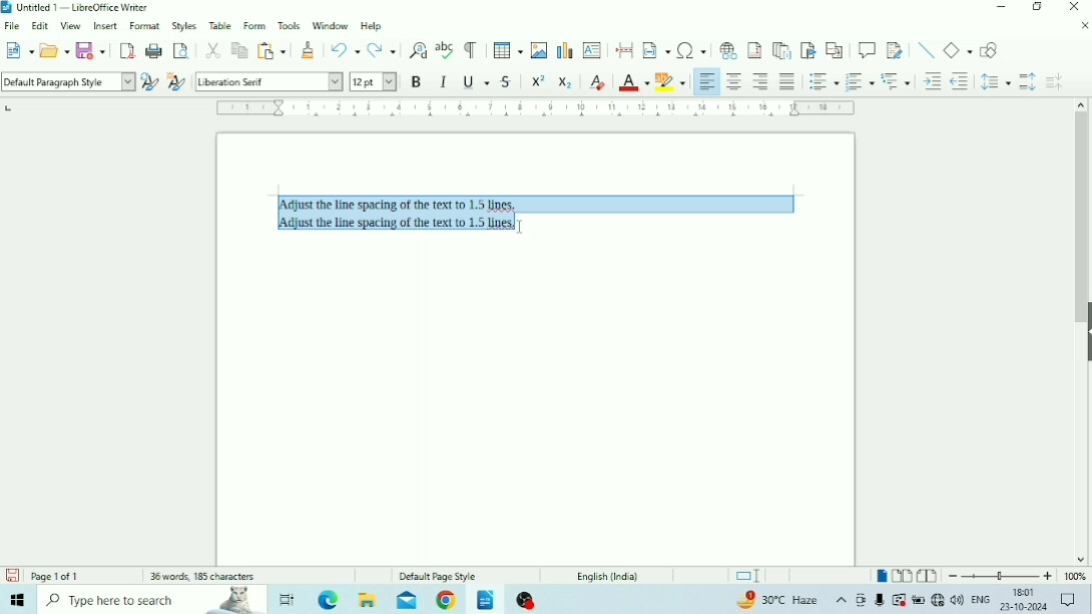 Image resolution: width=1092 pixels, height=614 pixels. Describe the element at coordinates (184, 25) in the screenshot. I see `Styles` at that location.